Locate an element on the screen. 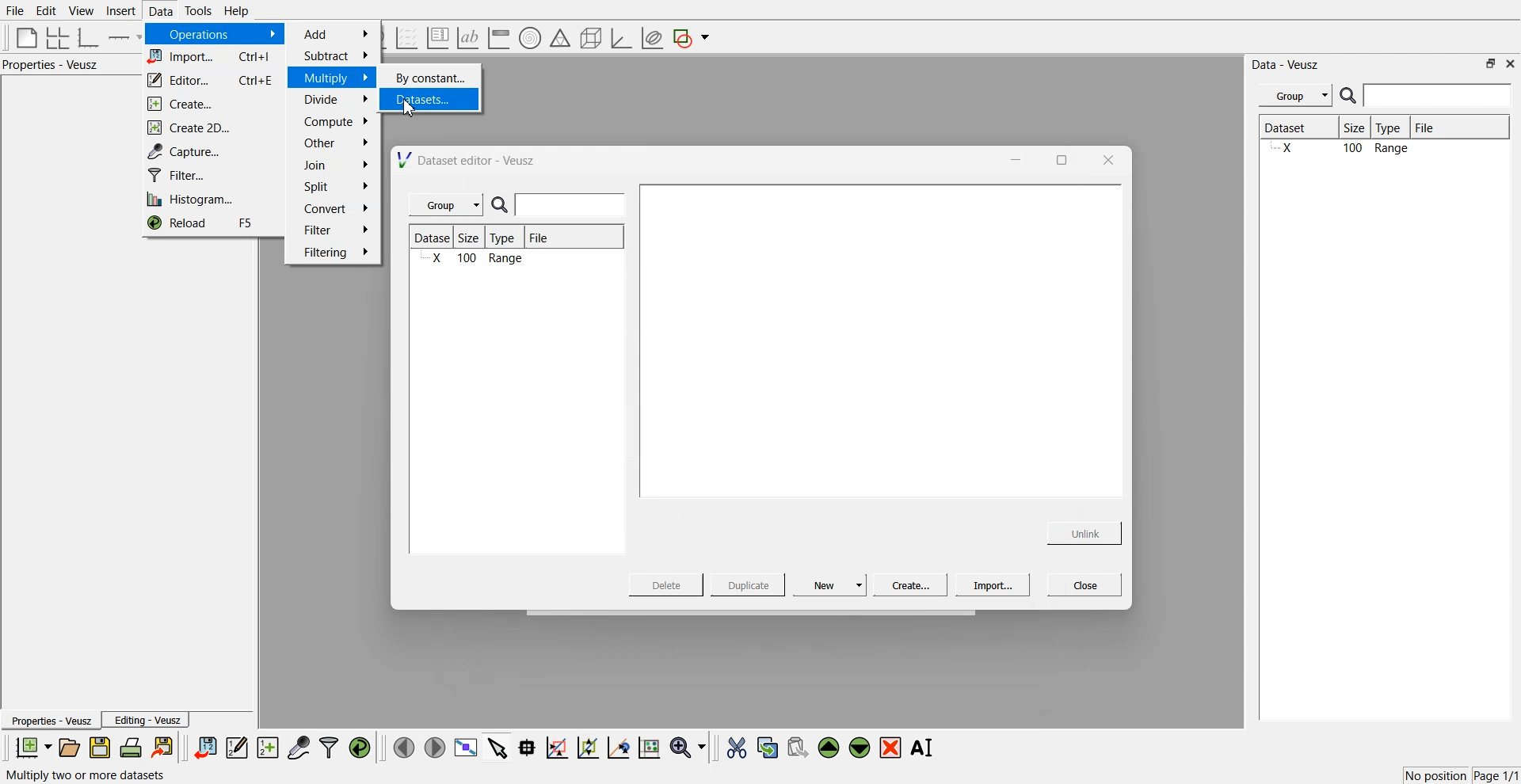 Image resolution: width=1521 pixels, height=784 pixels. select items is located at coordinates (497, 747).